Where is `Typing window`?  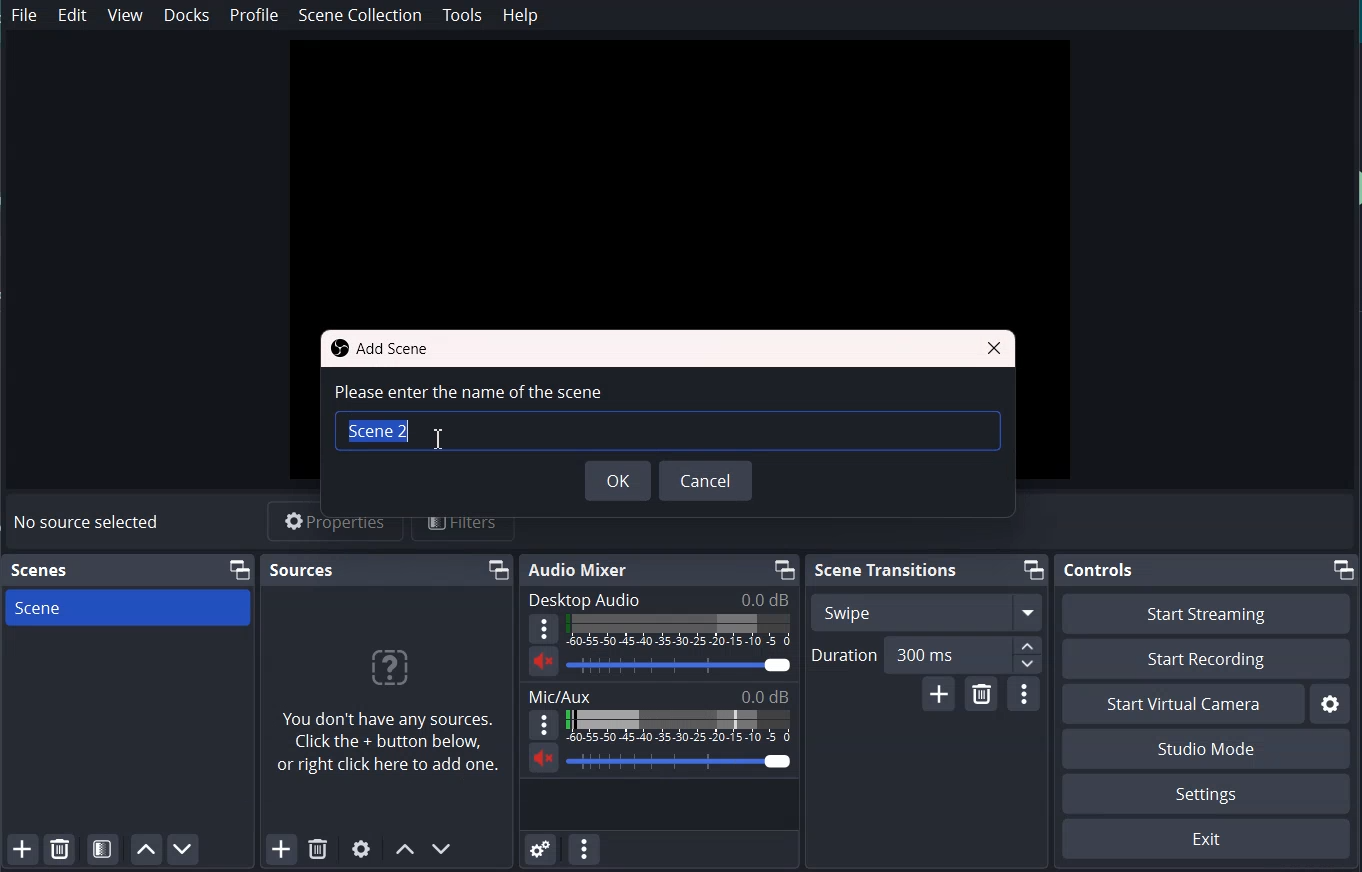
Typing window is located at coordinates (672, 436).